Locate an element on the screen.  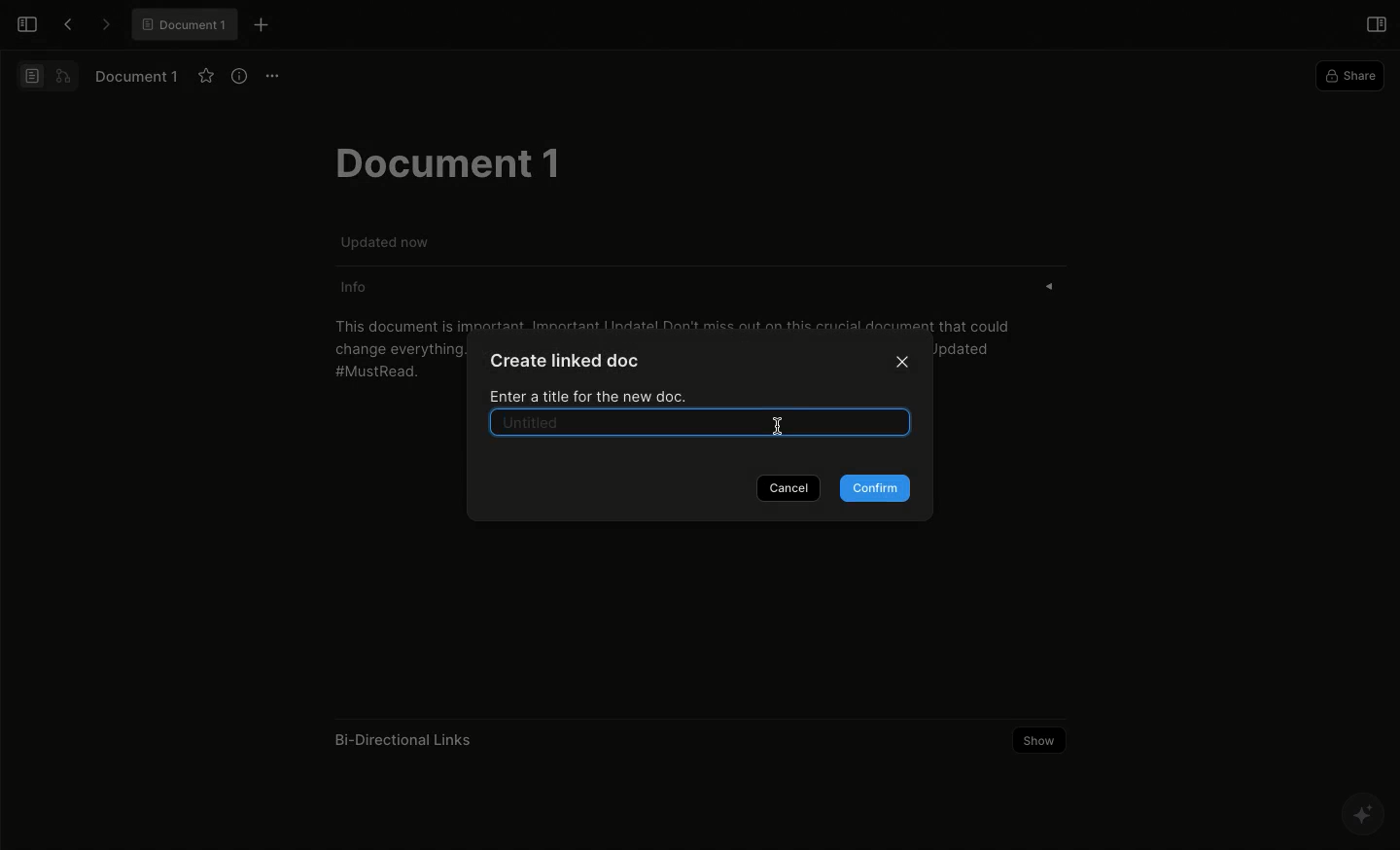
Confirm is located at coordinates (875, 488).